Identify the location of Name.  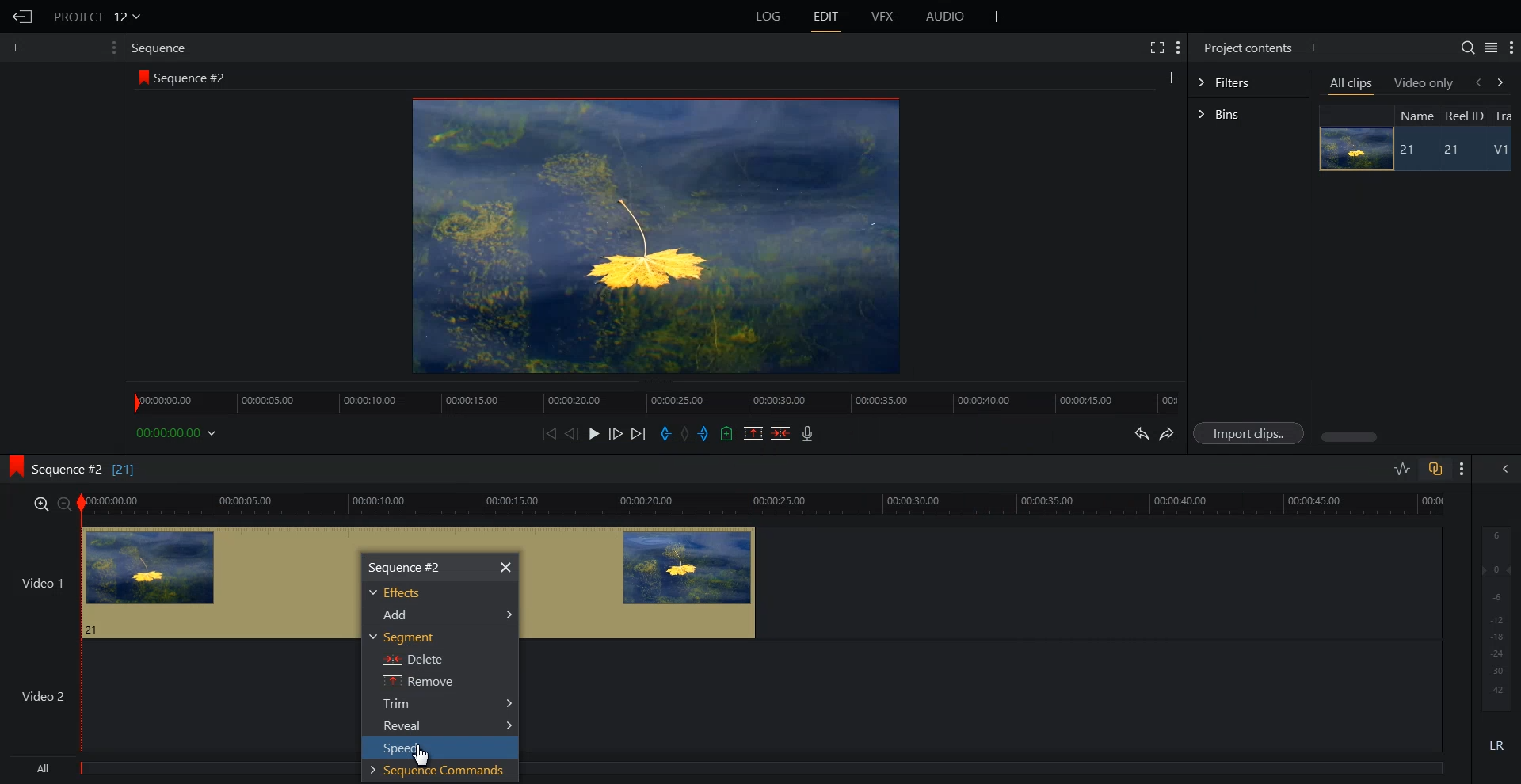
(1415, 115).